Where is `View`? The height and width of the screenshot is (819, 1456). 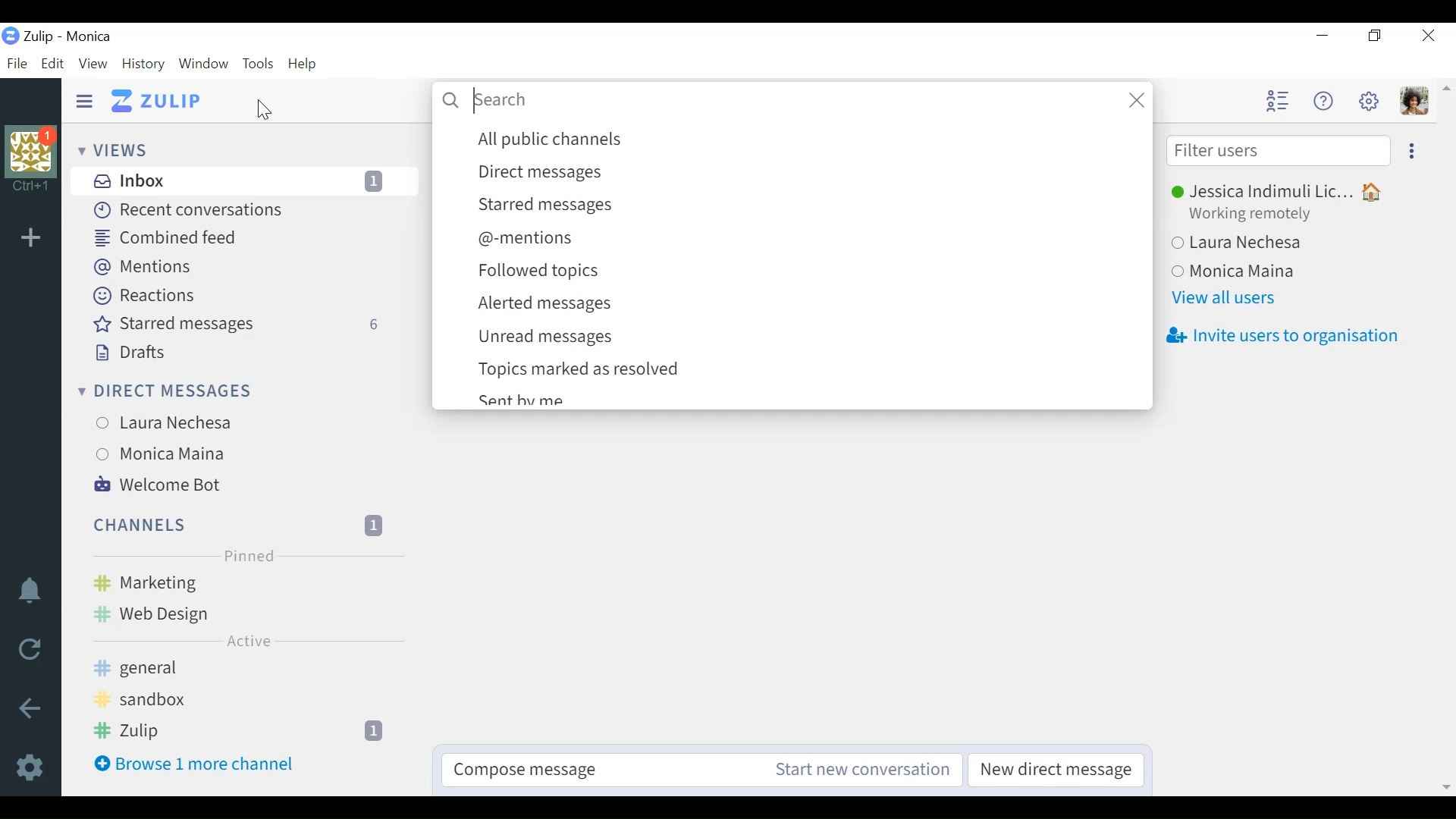 View is located at coordinates (93, 63).